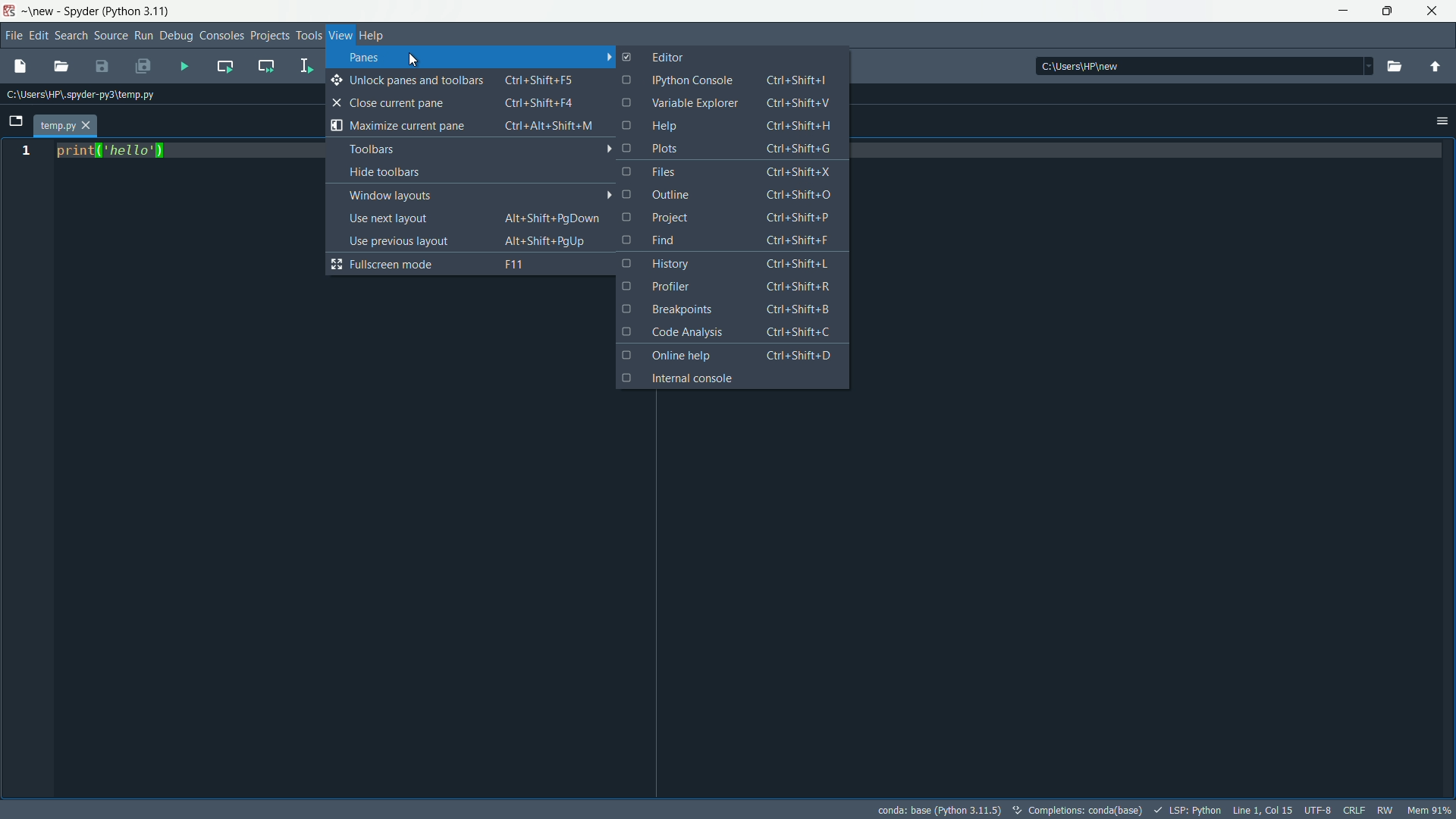 The height and width of the screenshot is (819, 1456). Describe the element at coordinates (940, 810) in the screenshot. I see `conda: base (python 3.11.5)` at that location.